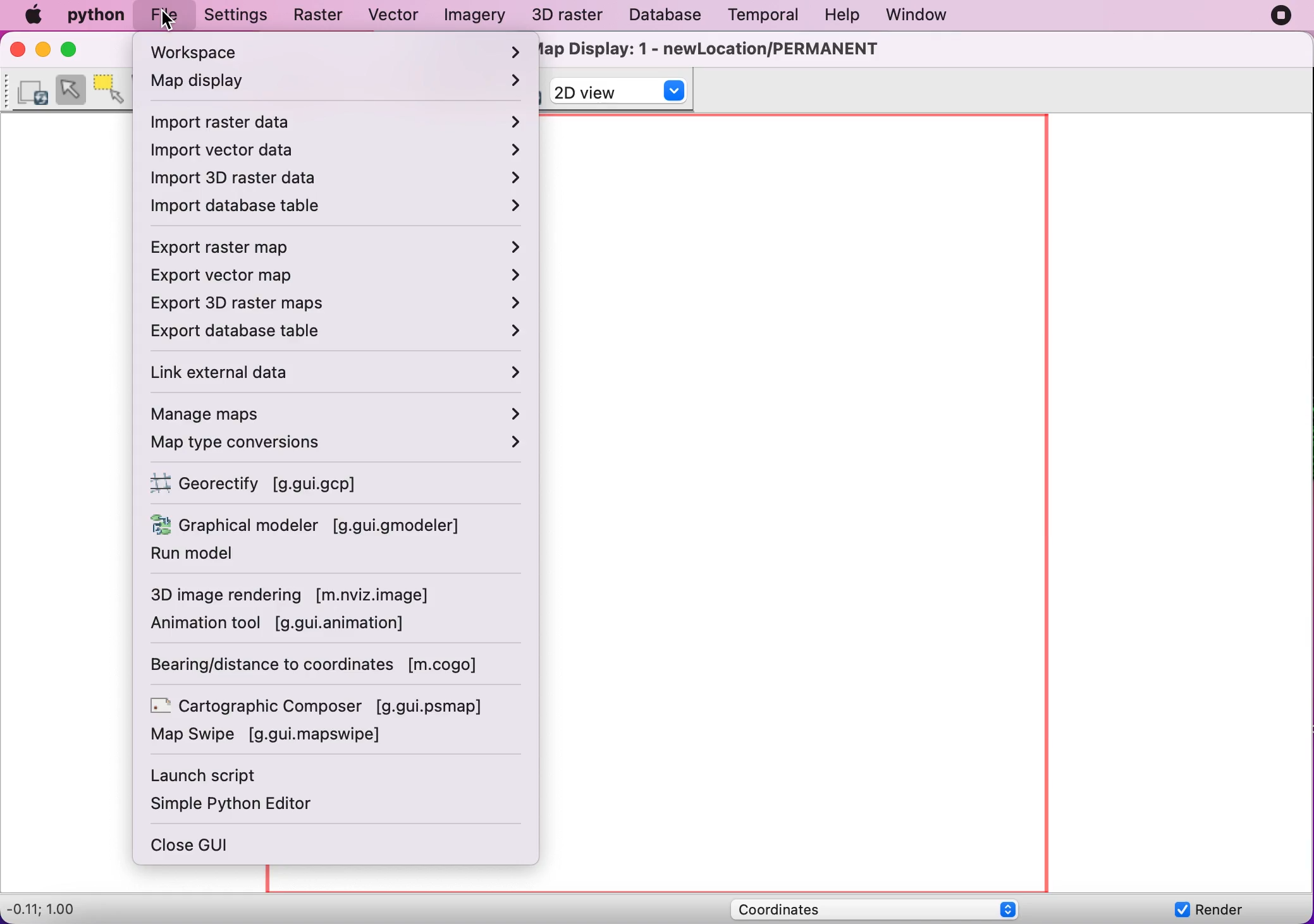 The image size is (1314, 924). What do you see at coordinates (338, 445) in the screenshot?
I see `map type conversions` at bounding box center [338, 445].